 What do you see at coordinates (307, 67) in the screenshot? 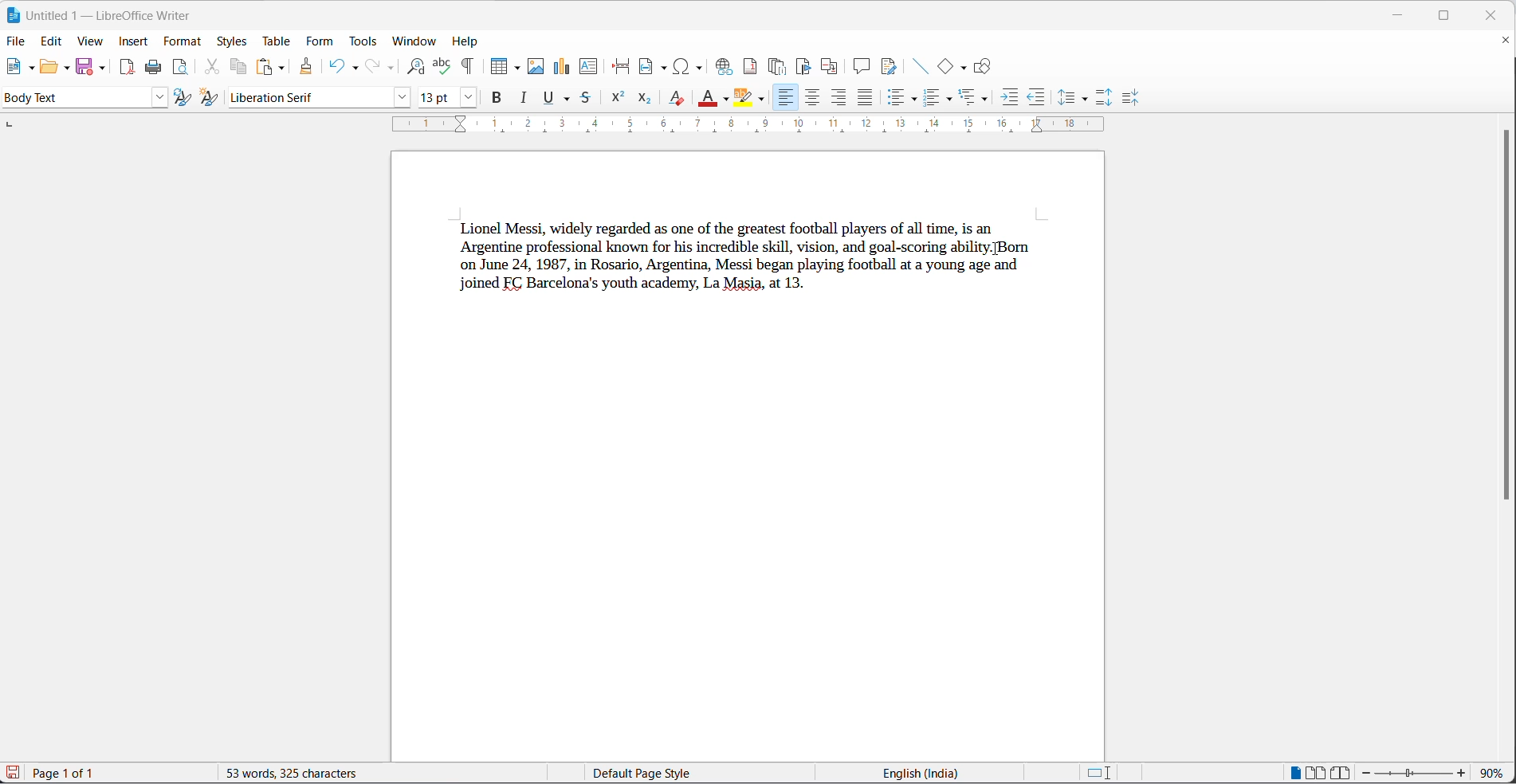
I see `clone formatting` at bounding box center [307, 67].